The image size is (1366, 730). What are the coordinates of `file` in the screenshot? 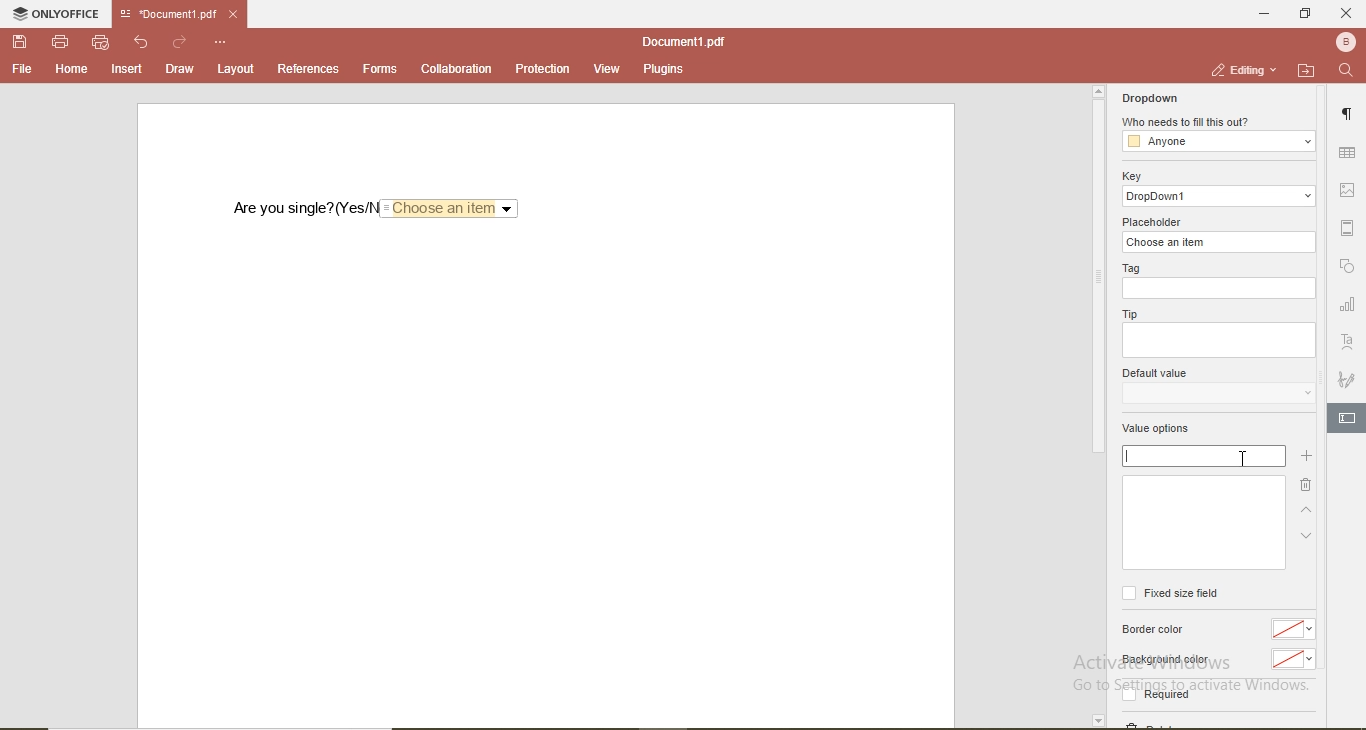 It's located at (23, 70).